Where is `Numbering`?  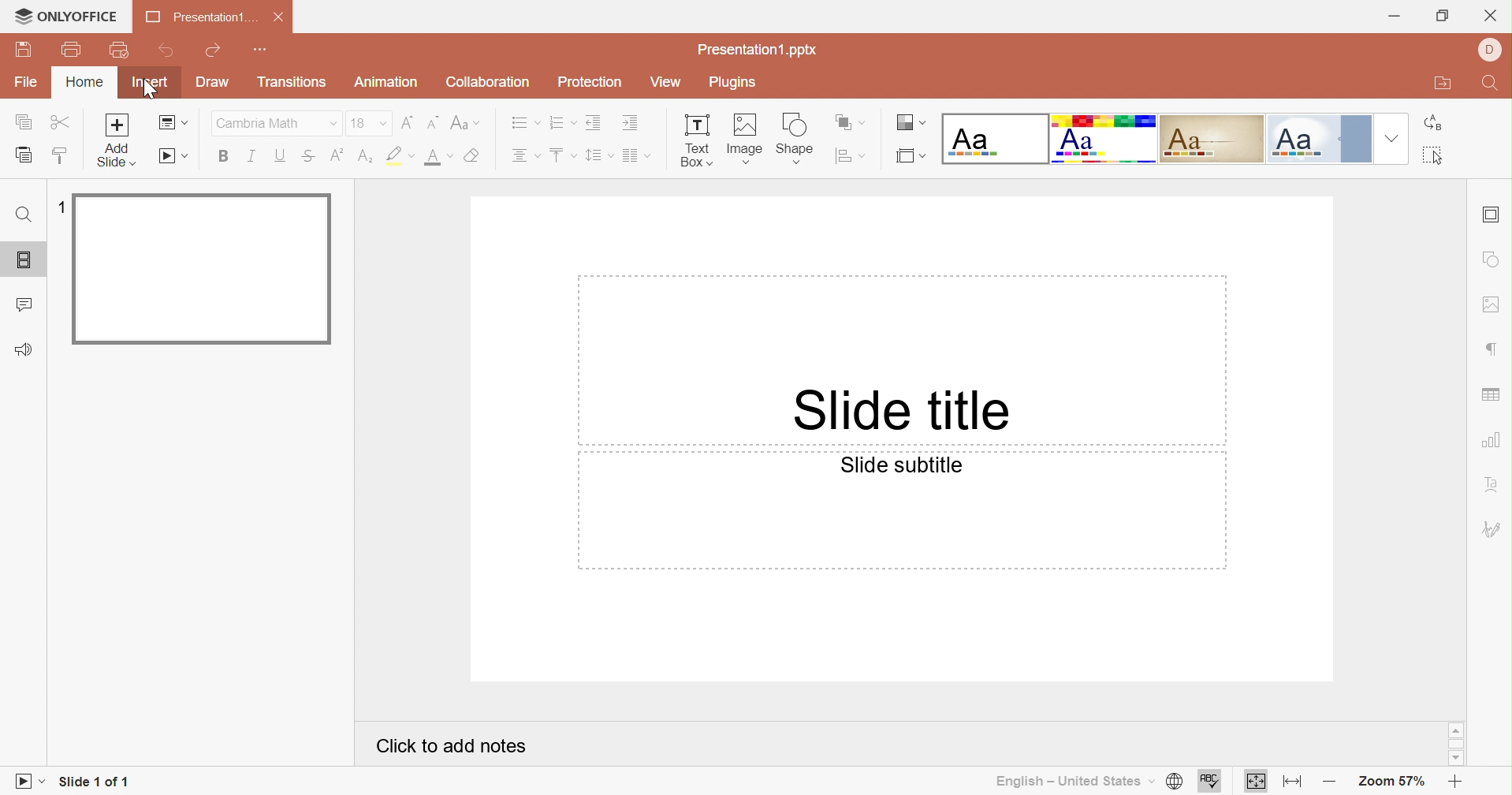 Numbering is located at coordinates (562, 122).